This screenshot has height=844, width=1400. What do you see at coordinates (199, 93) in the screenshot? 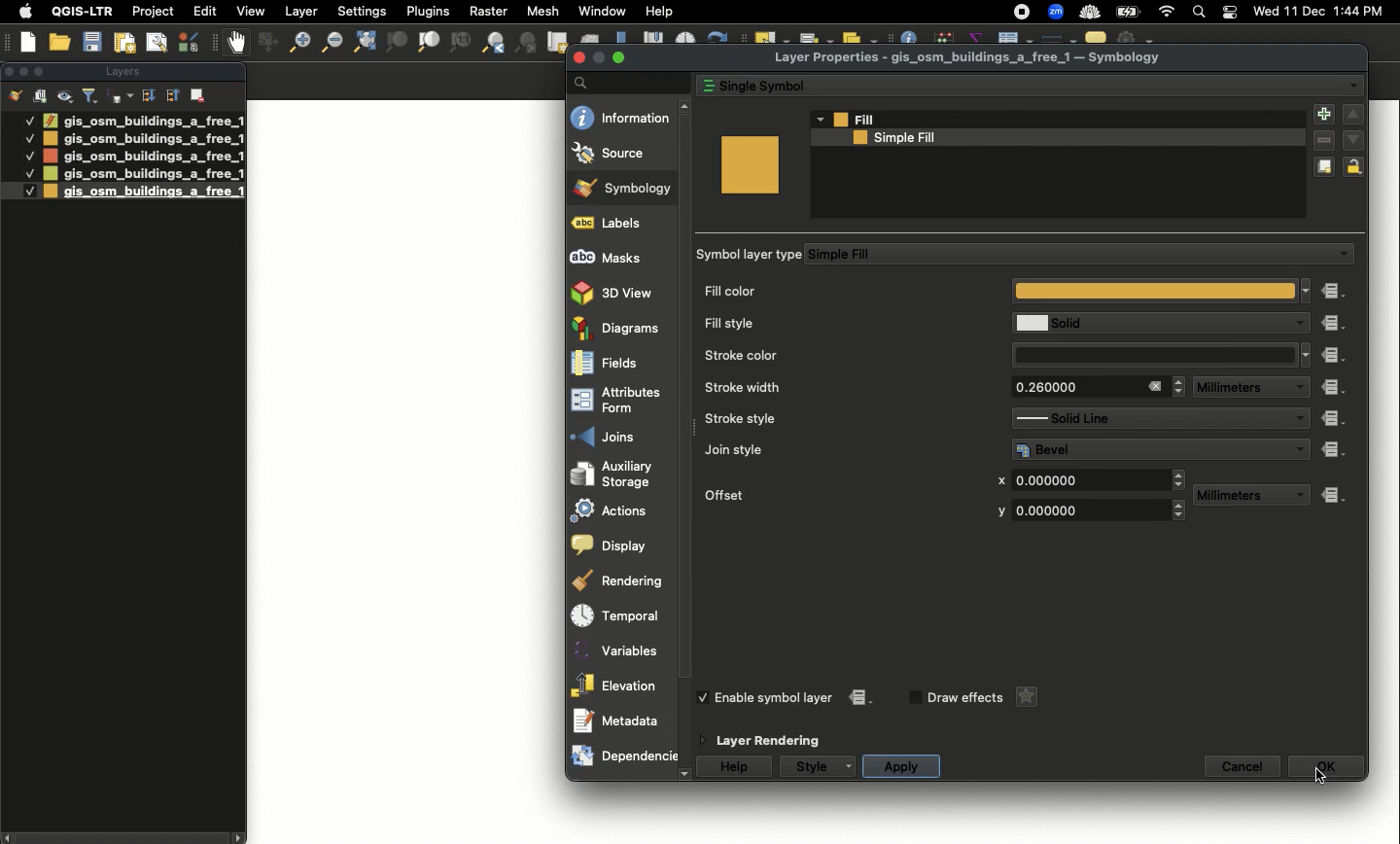
I see `Remove` at bounding box center [199, 93].